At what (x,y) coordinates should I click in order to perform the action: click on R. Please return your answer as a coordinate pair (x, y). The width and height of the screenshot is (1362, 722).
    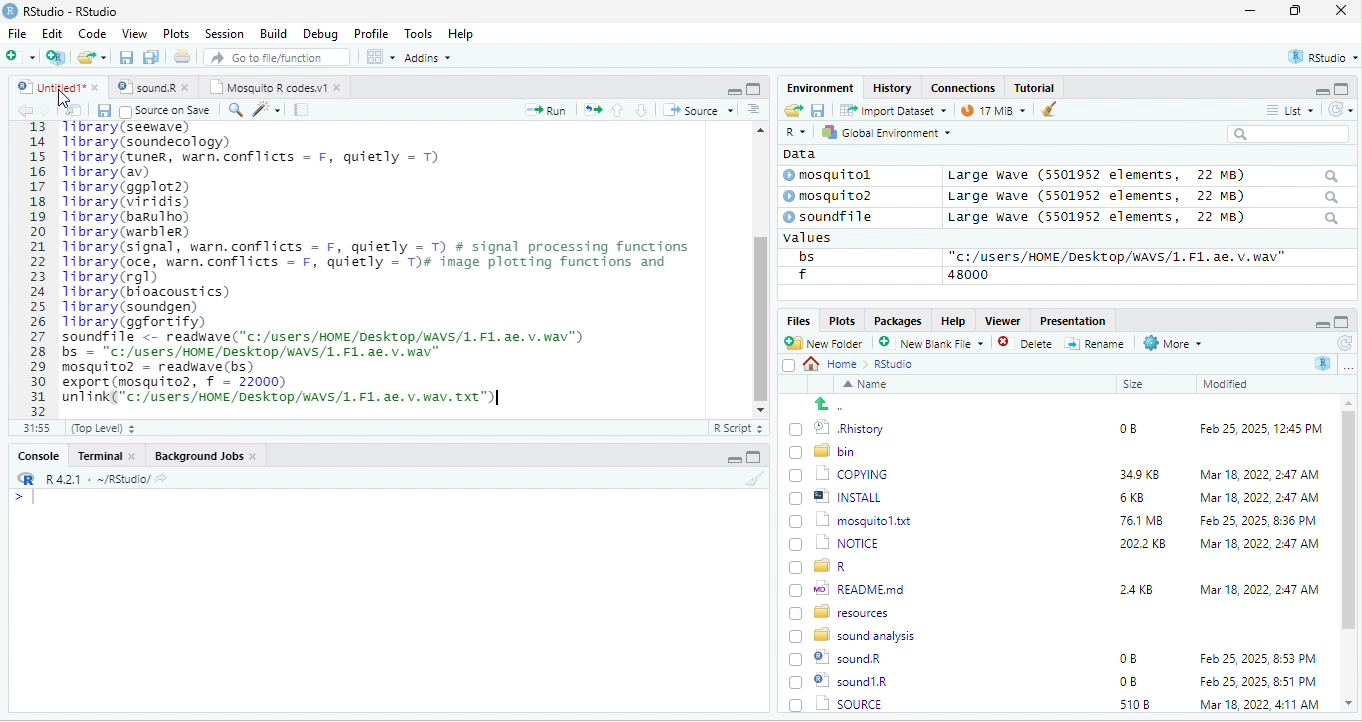
    Looking at the image, I should click on (794, 133).